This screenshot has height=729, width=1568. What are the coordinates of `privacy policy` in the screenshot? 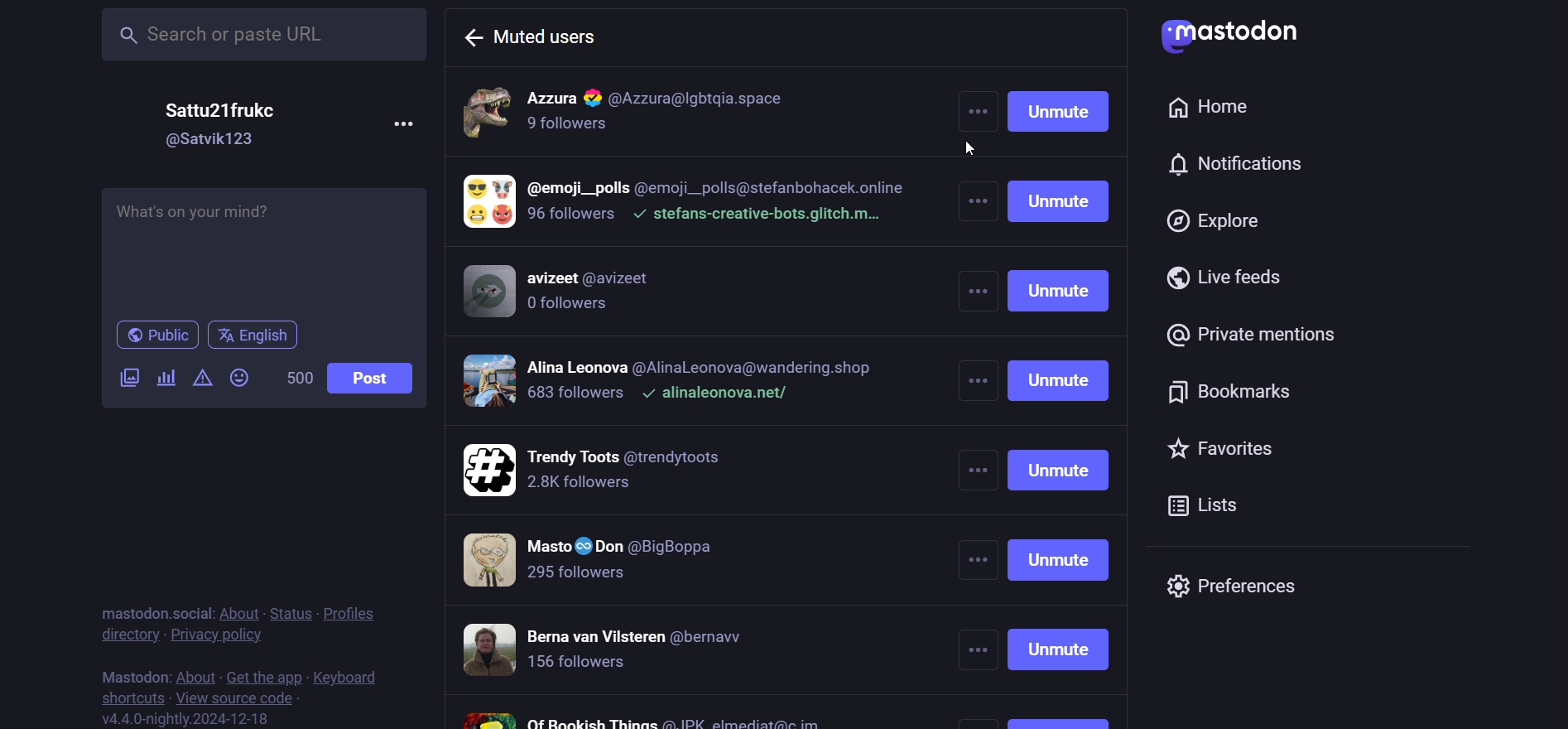 It's located at (214, 634).